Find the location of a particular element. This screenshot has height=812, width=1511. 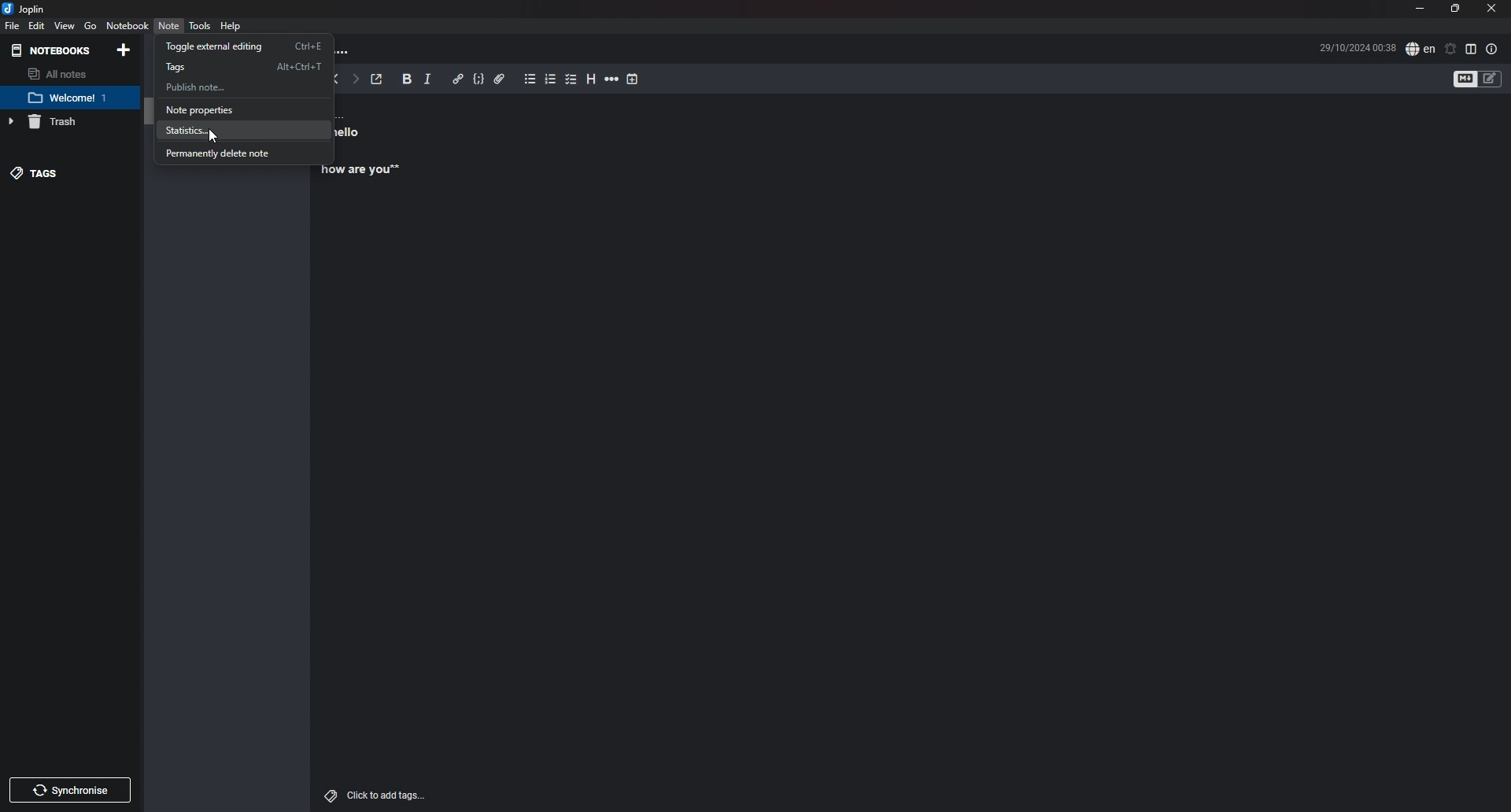

Hyperlink is located at coordinates (456, 79).